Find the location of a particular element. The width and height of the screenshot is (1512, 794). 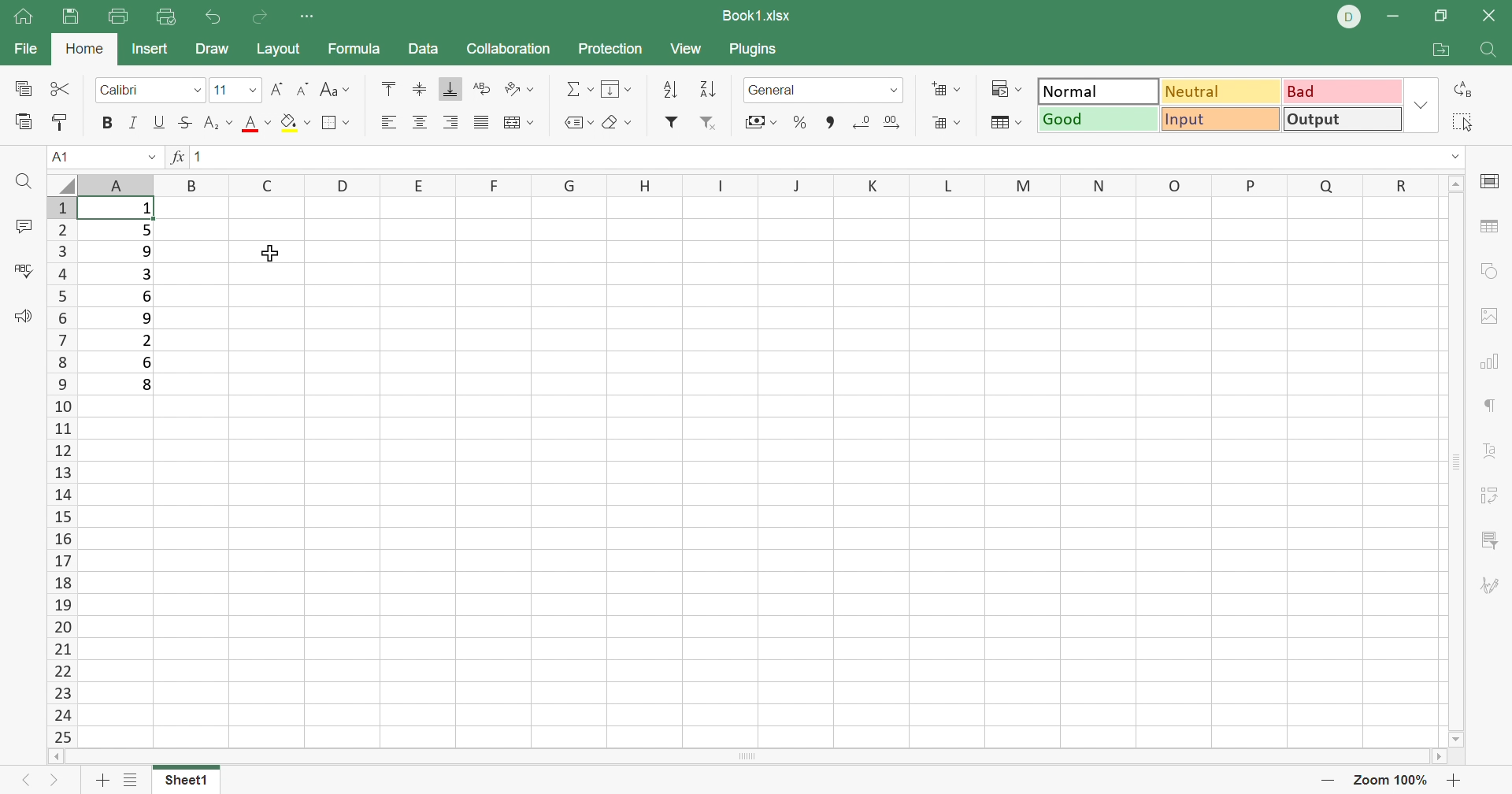

Scroll left is located at coordinates (54, 755).